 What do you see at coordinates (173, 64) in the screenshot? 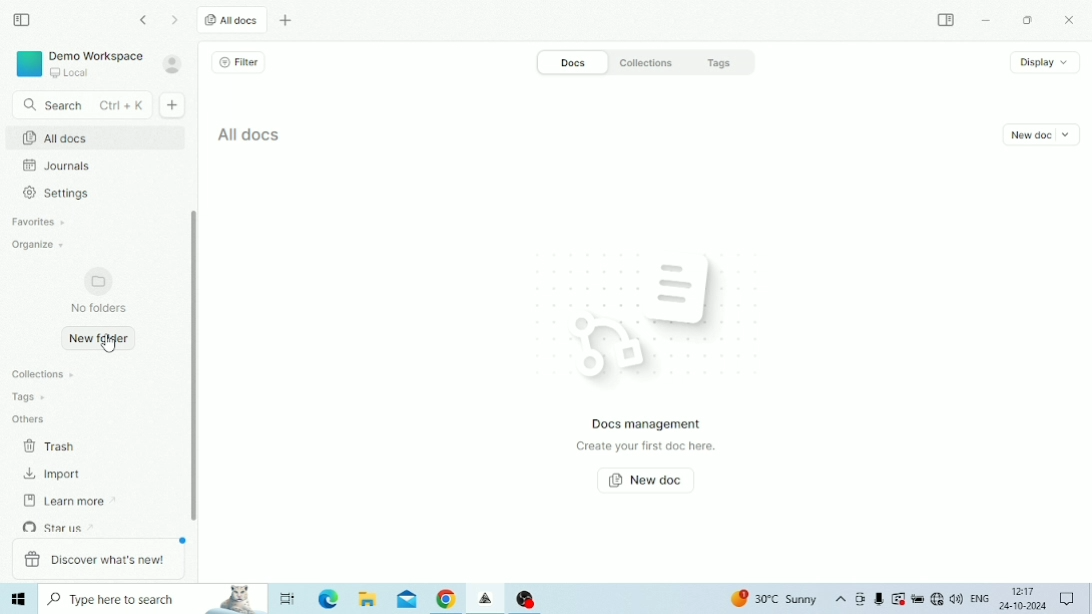
I see `Account` at bounding box center [173, 64].